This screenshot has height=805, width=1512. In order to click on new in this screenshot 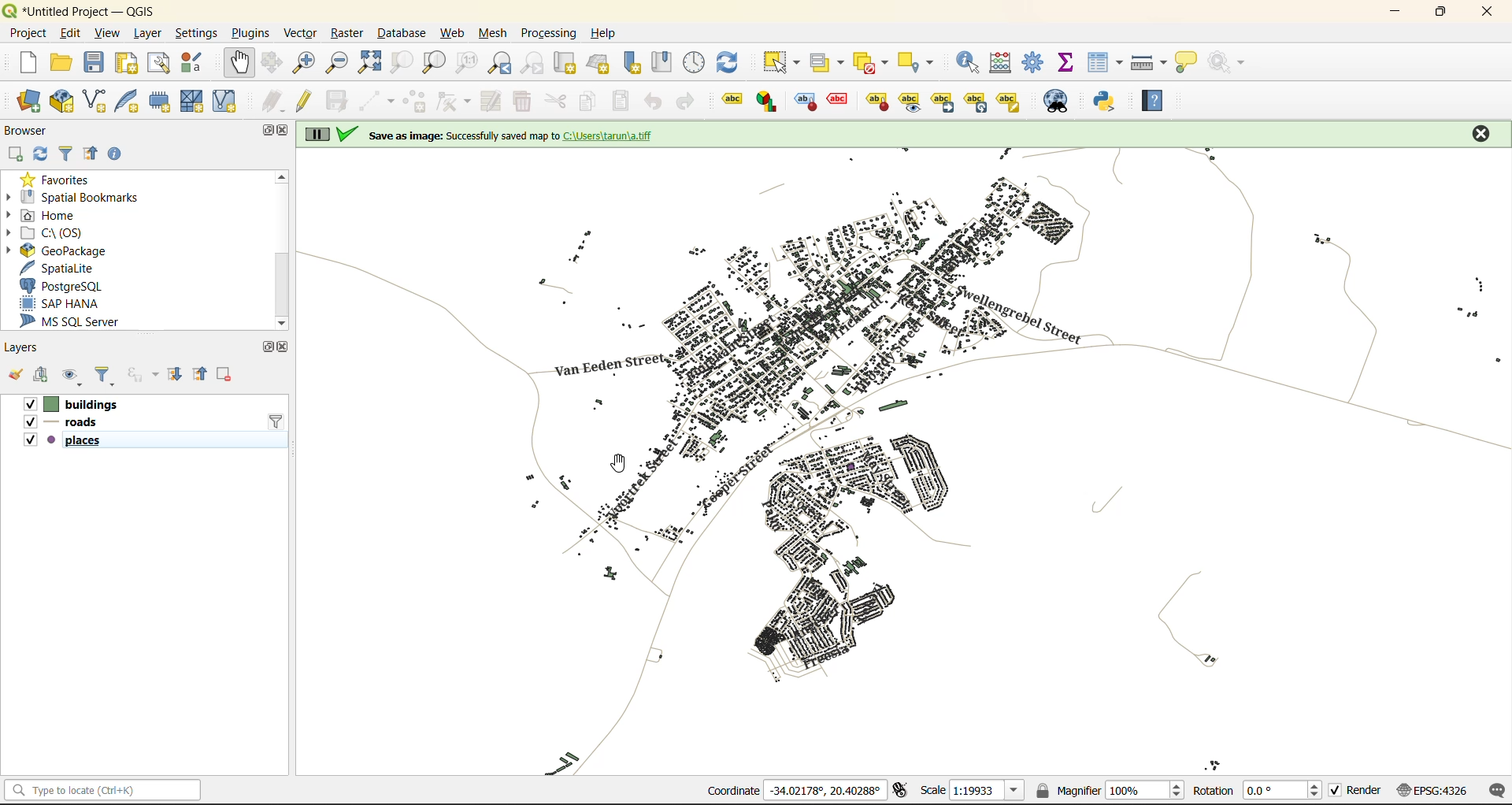, I will do `click(28, 62)`.